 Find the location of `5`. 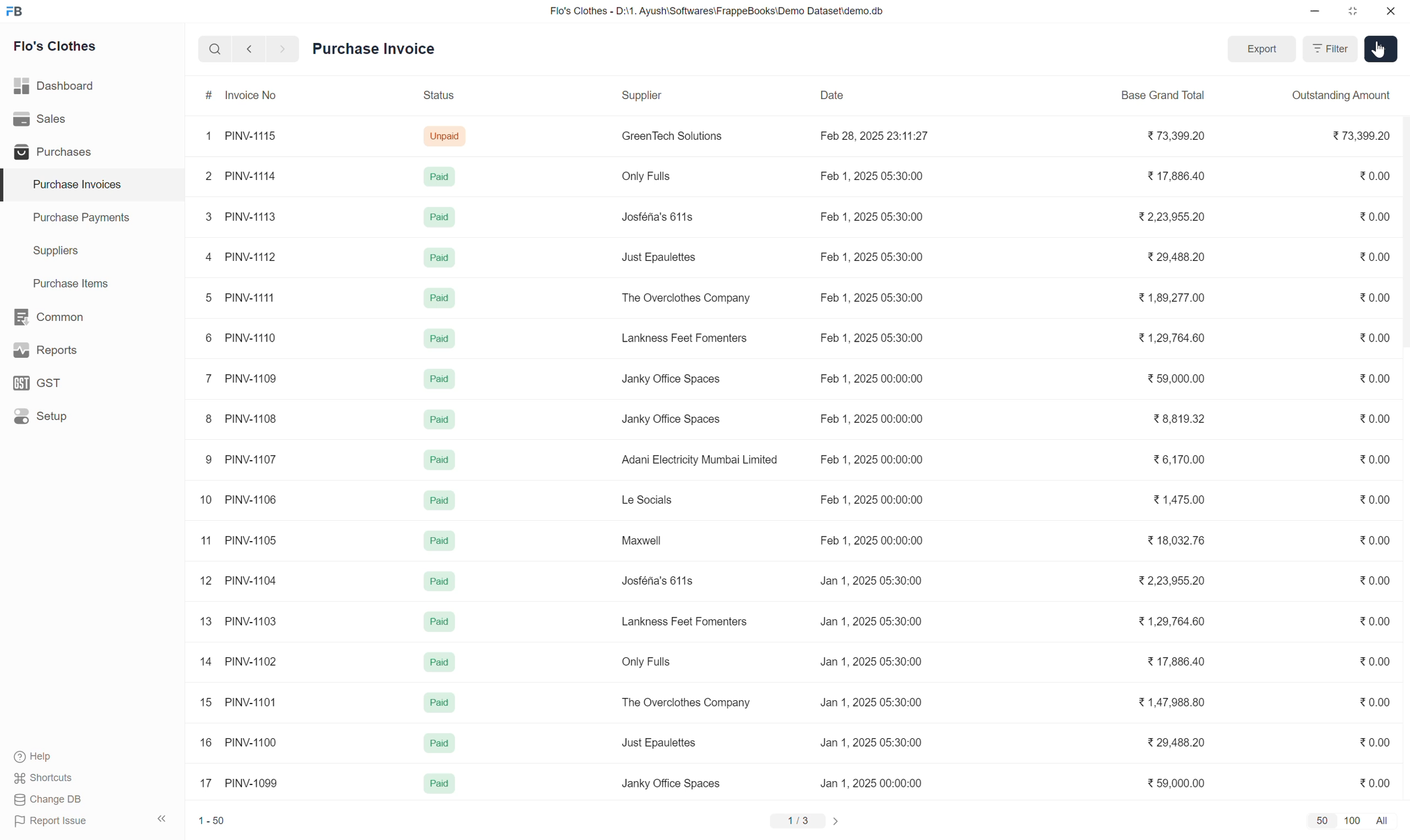

5 is located at coordinates (201, 296).